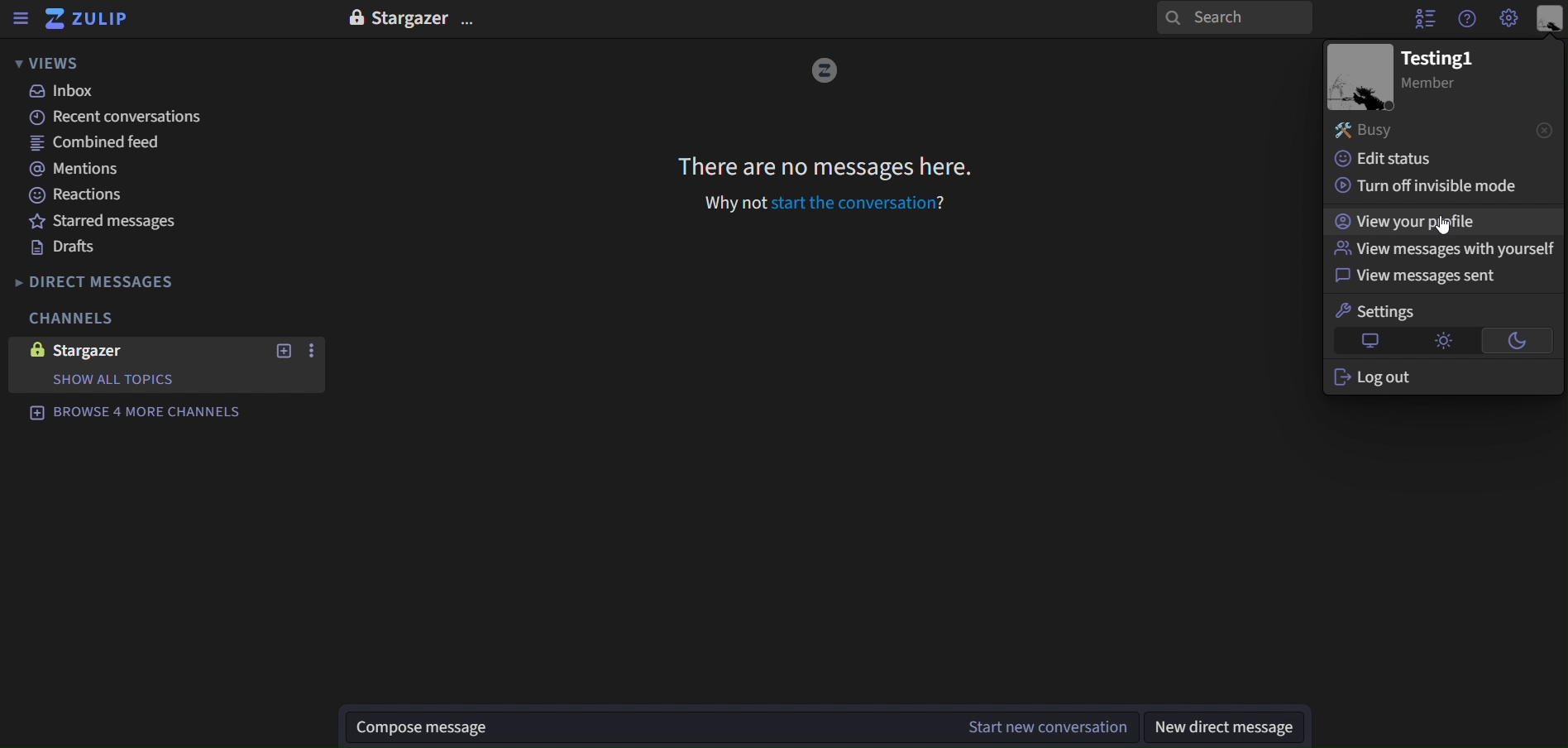 The image size is (1568, 748). Describe the element at coordinates (426, 725) in the screenshot. I see `compose message` at that location.